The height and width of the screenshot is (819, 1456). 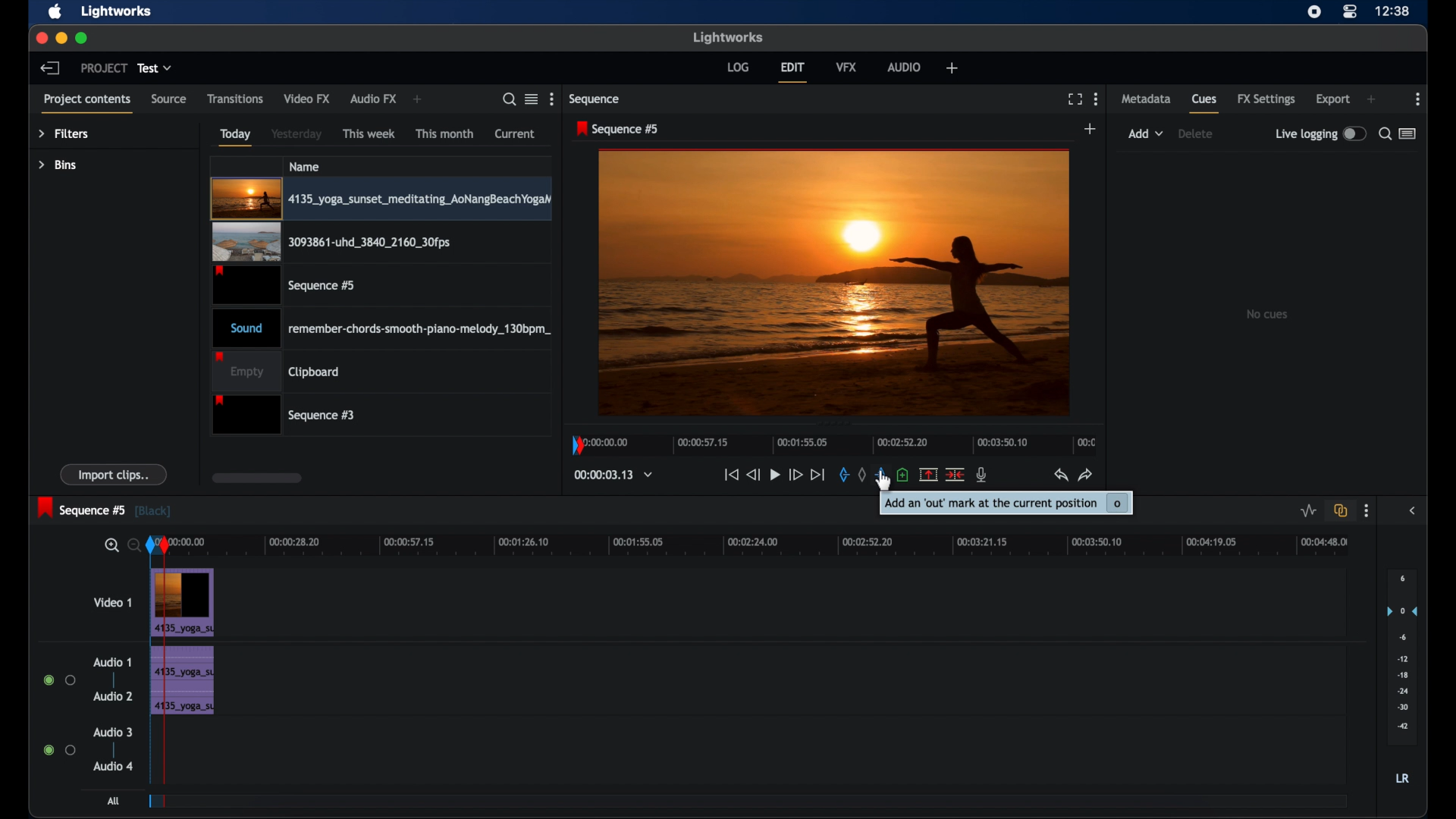 I want to click on scroll box, so click(x=256, y=477).